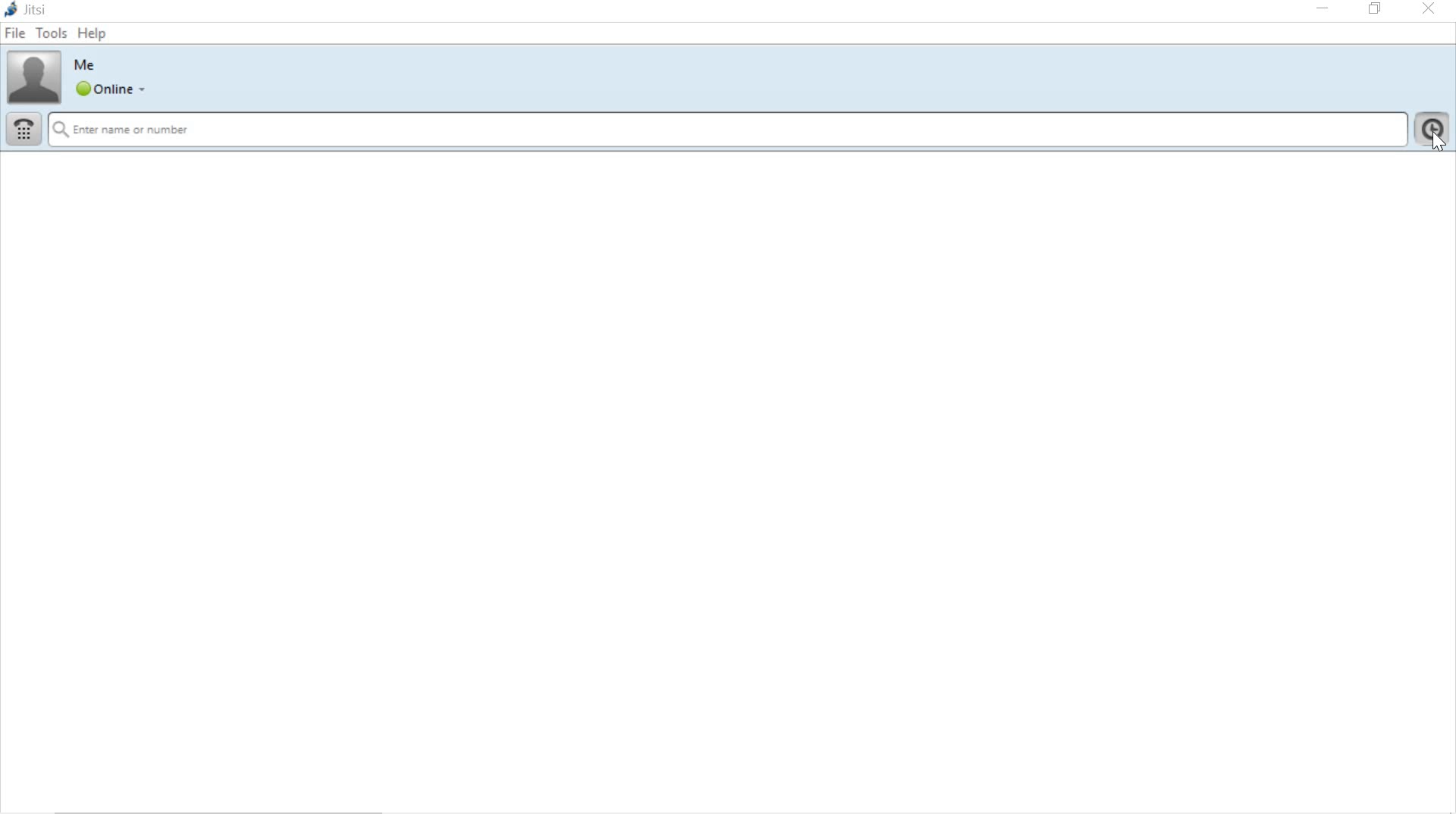 The height and width of the screenshot is (814, 1456). What do you see at coordinates (32, 77) in the screenshot?
I see `account picture` at bounding box center [32, 77].